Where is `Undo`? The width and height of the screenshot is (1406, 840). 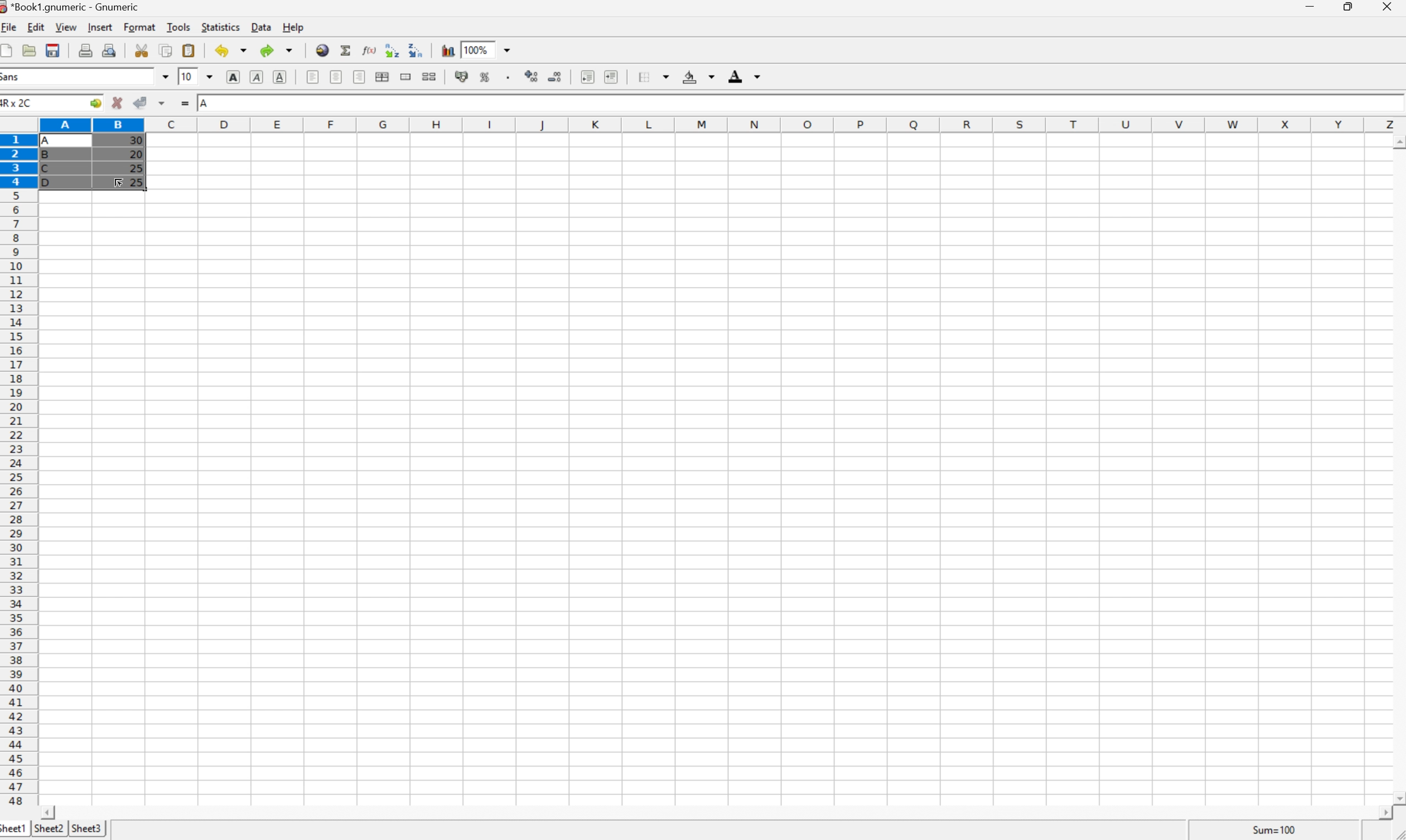
Undo is located at coordinates (230, 50).